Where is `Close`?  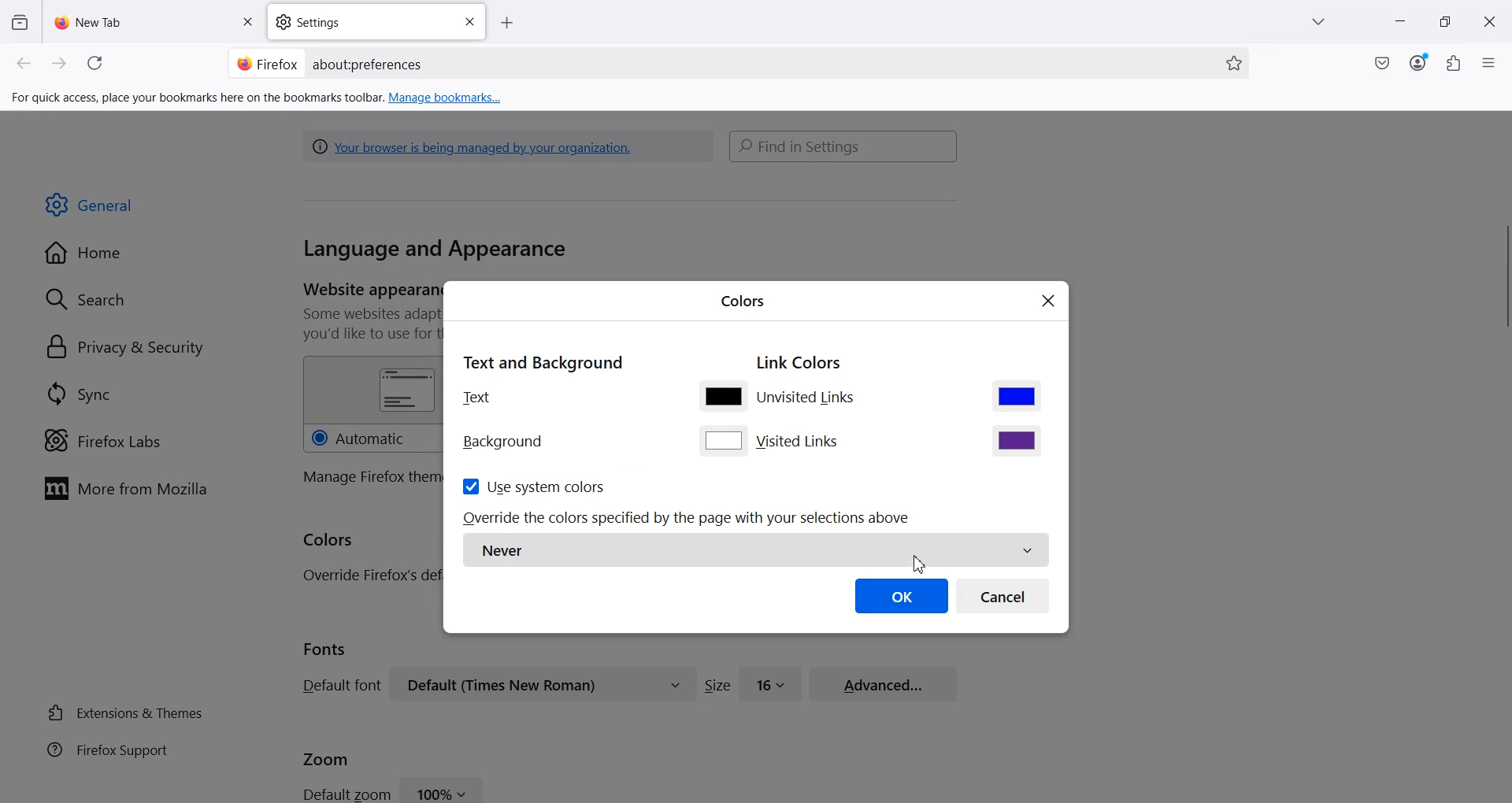
Close is located at coordinates (246, 23).